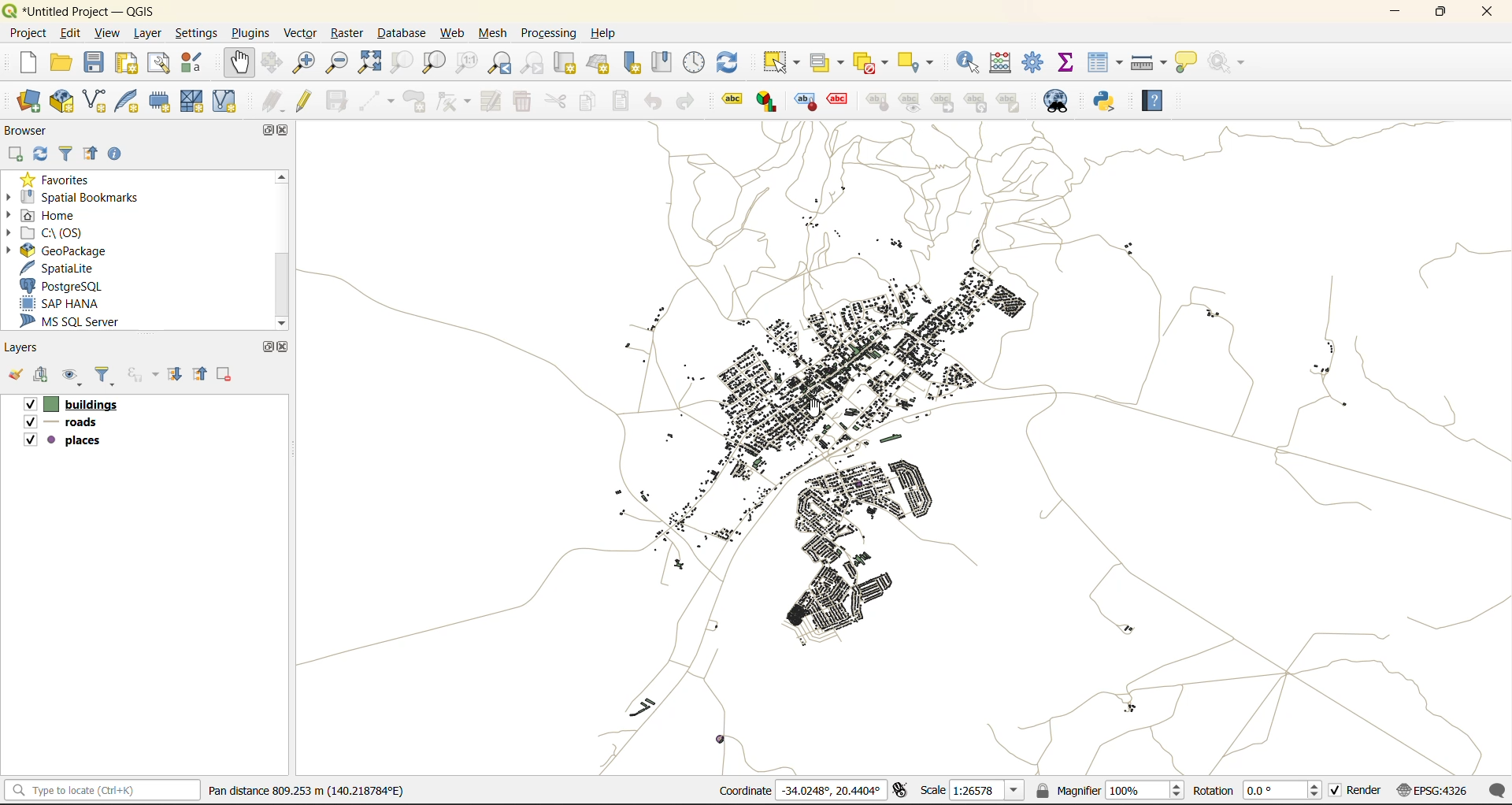 The width and height of the screenshot is (1512, 805). I want to click on zoom last, so click(499, 65).